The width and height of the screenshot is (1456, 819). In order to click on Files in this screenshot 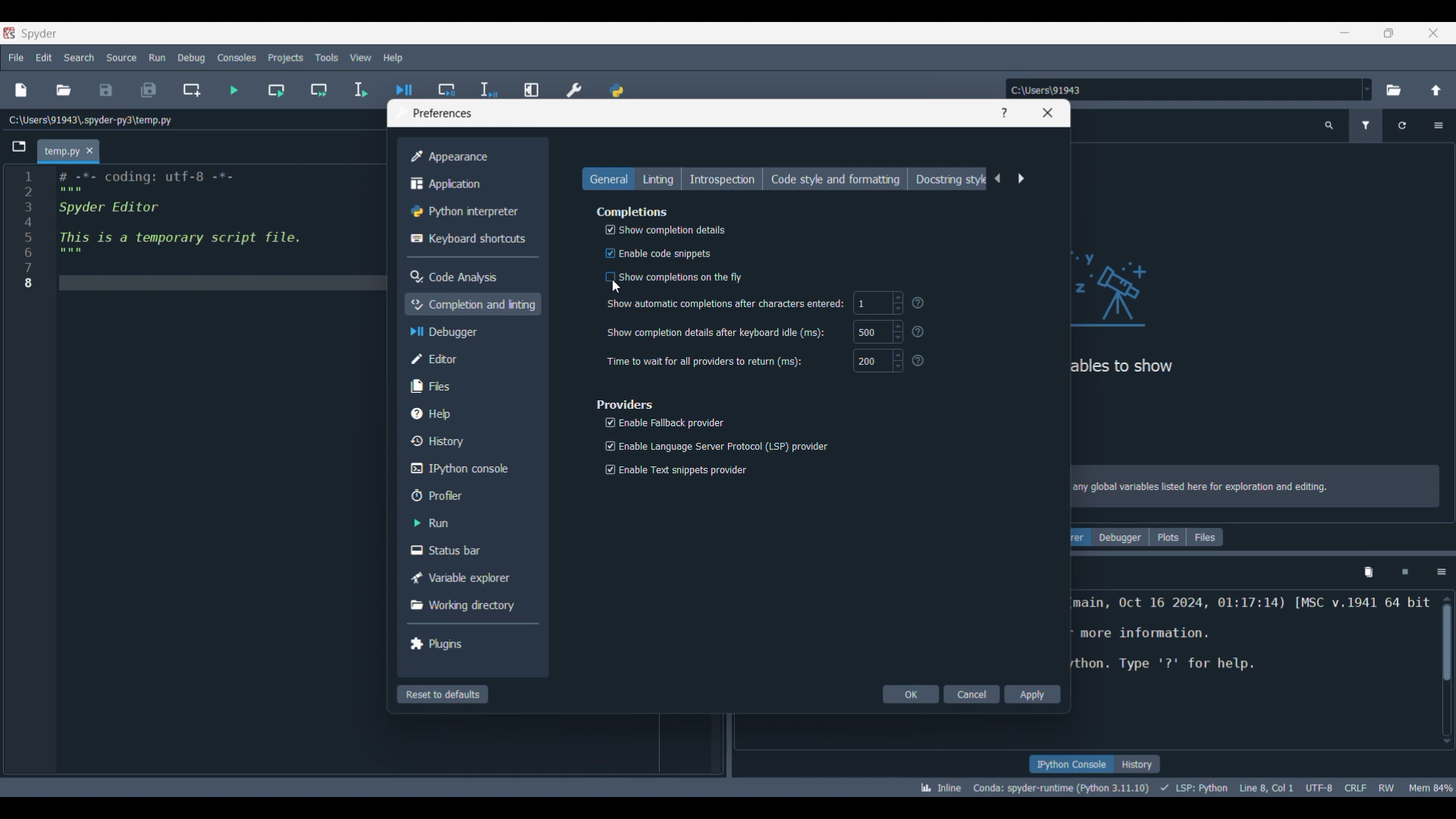, I will do `click(1205, 537)`.